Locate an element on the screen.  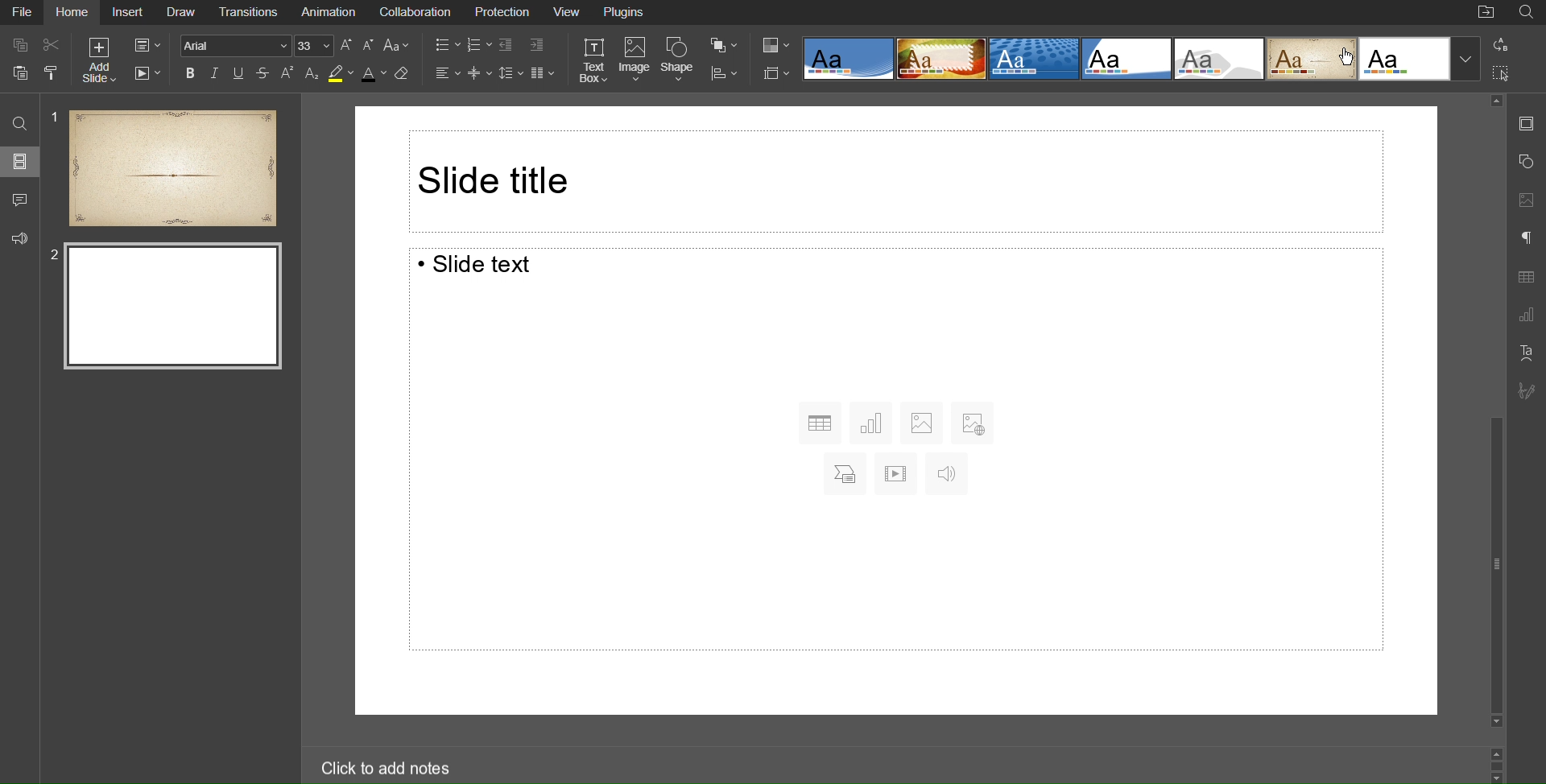
Decrease Font Size is located at coordinates (370, 47).